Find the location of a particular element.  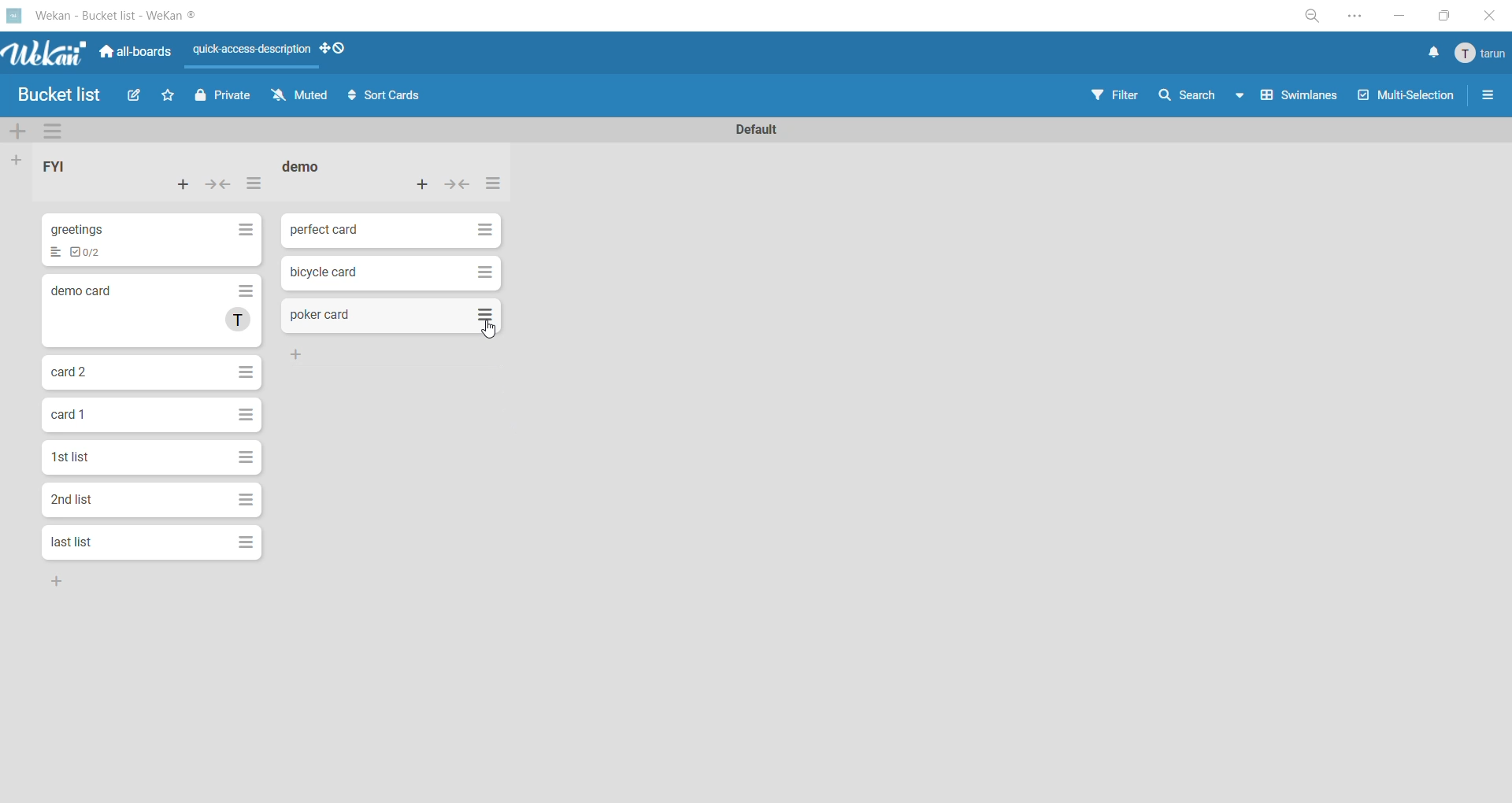

Hamburger is located at coordinates (243, 290).